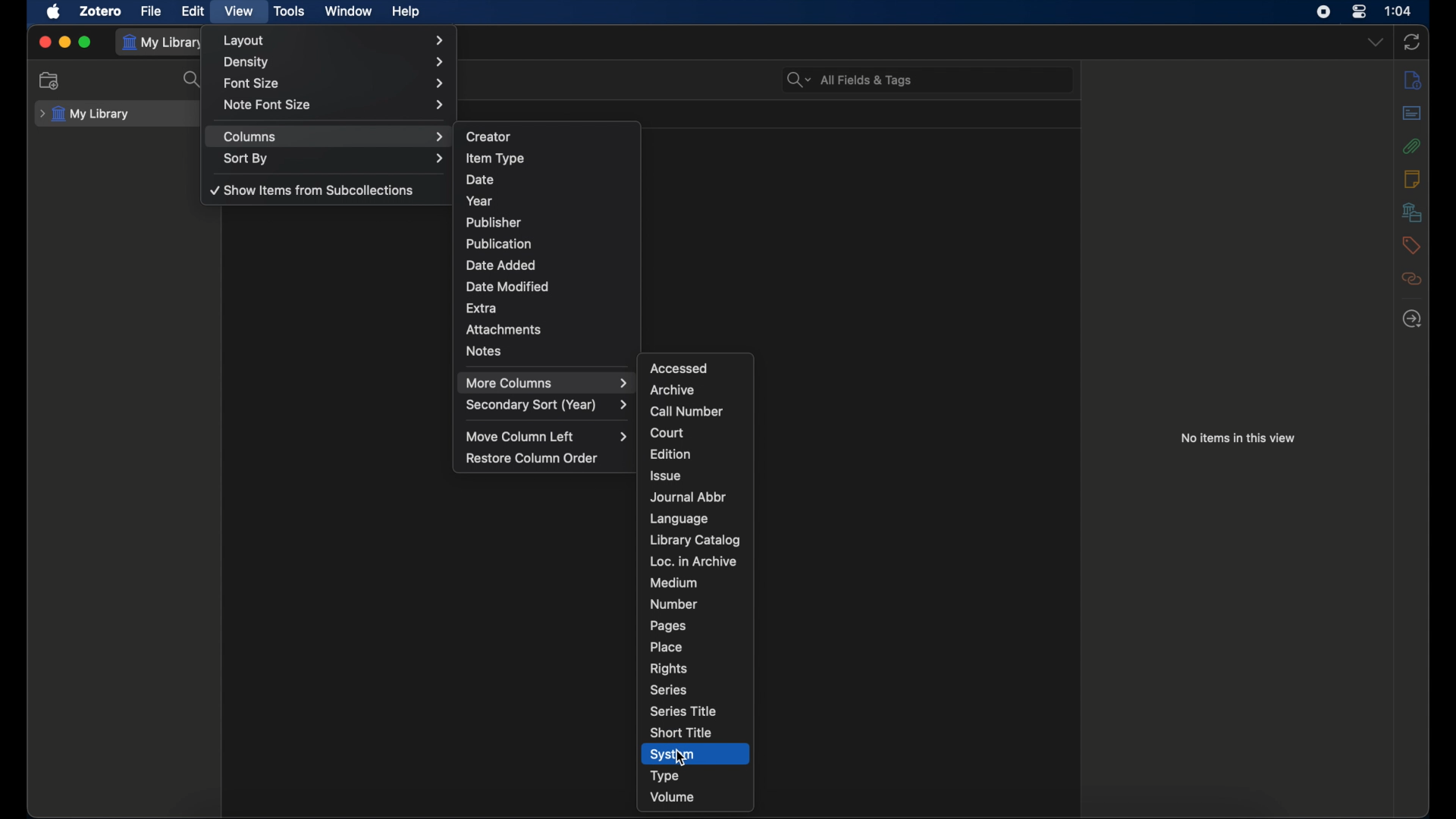 This screenshot has width=1456, height=819. Describe the element at coordinates (1412, 318) in the screenshot. I see `locate` at that location.